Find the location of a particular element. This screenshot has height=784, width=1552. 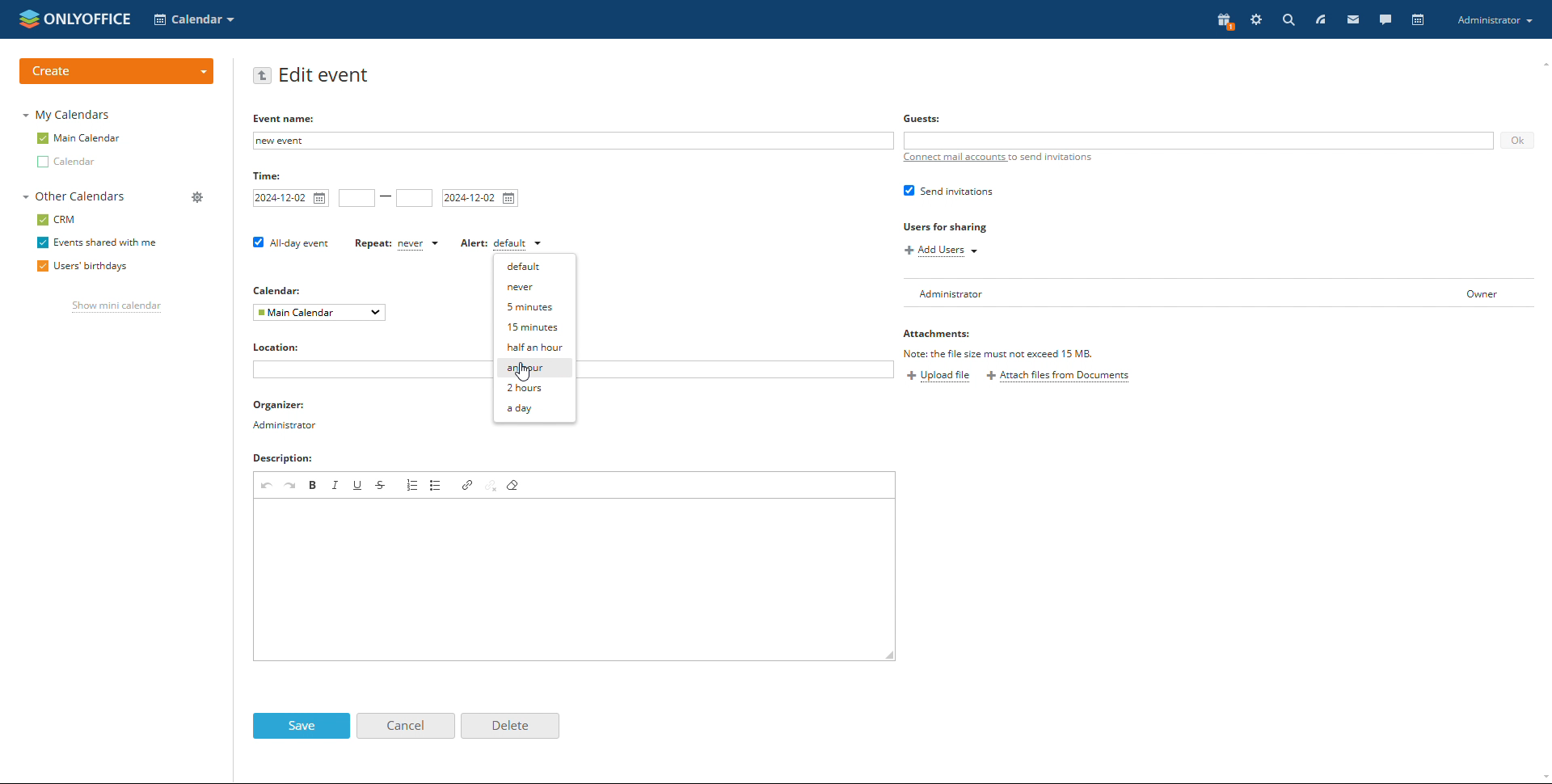

show mini calendar is located at coordinates (116, 306).